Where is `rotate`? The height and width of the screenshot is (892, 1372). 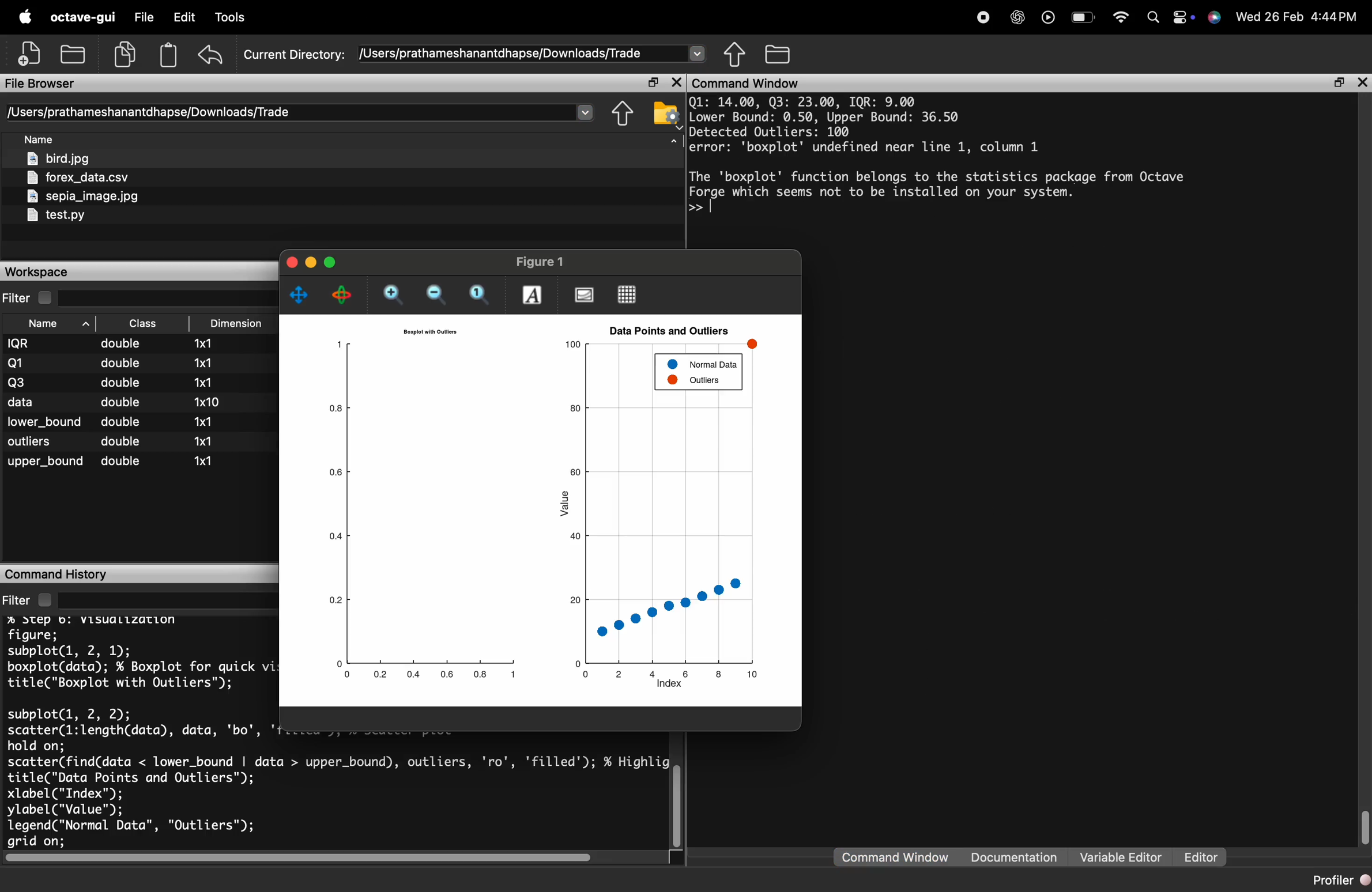 rotate is located at coordinates (342, 295).